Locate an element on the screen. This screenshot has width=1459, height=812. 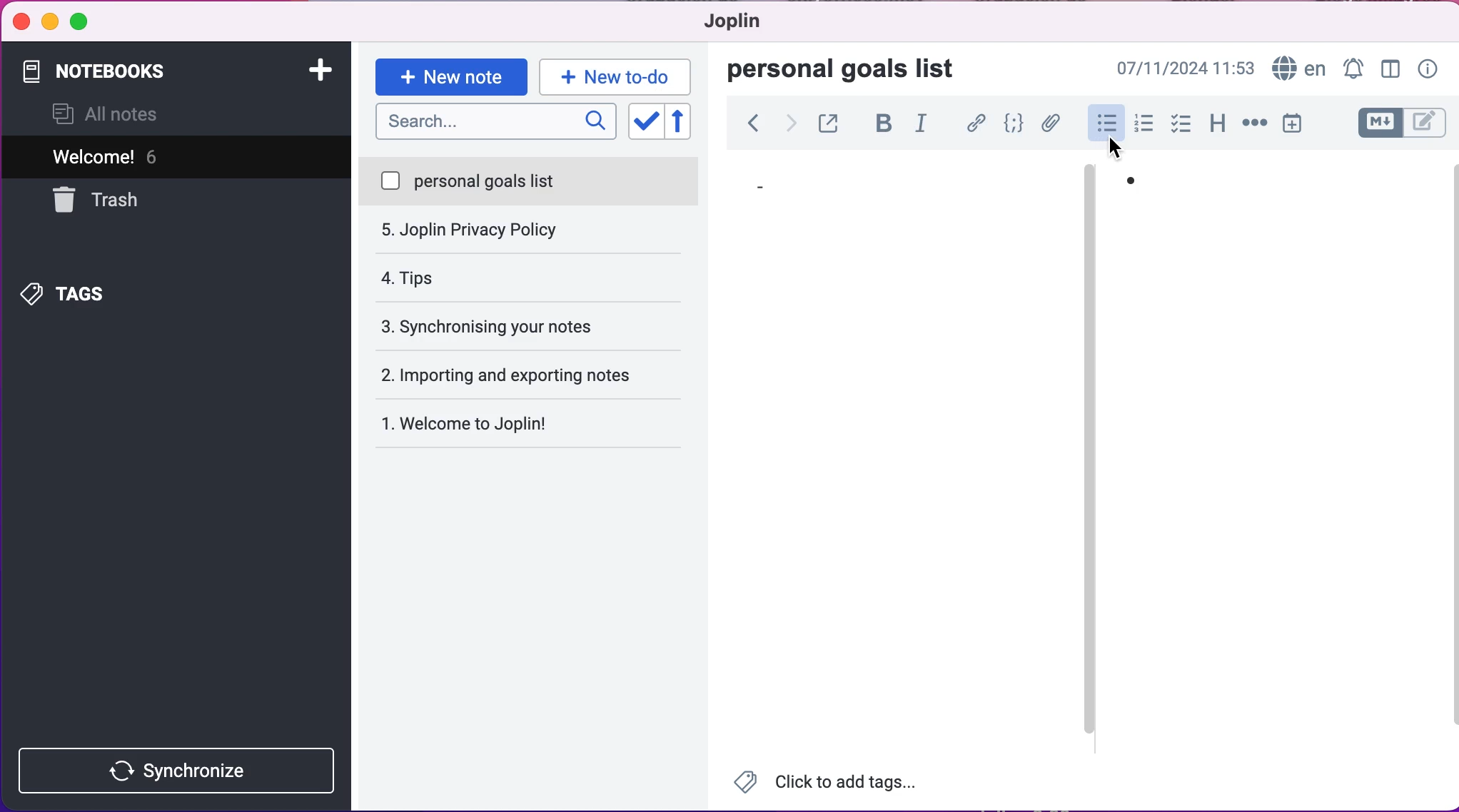
cursor is located at coordinates (1115, 145).